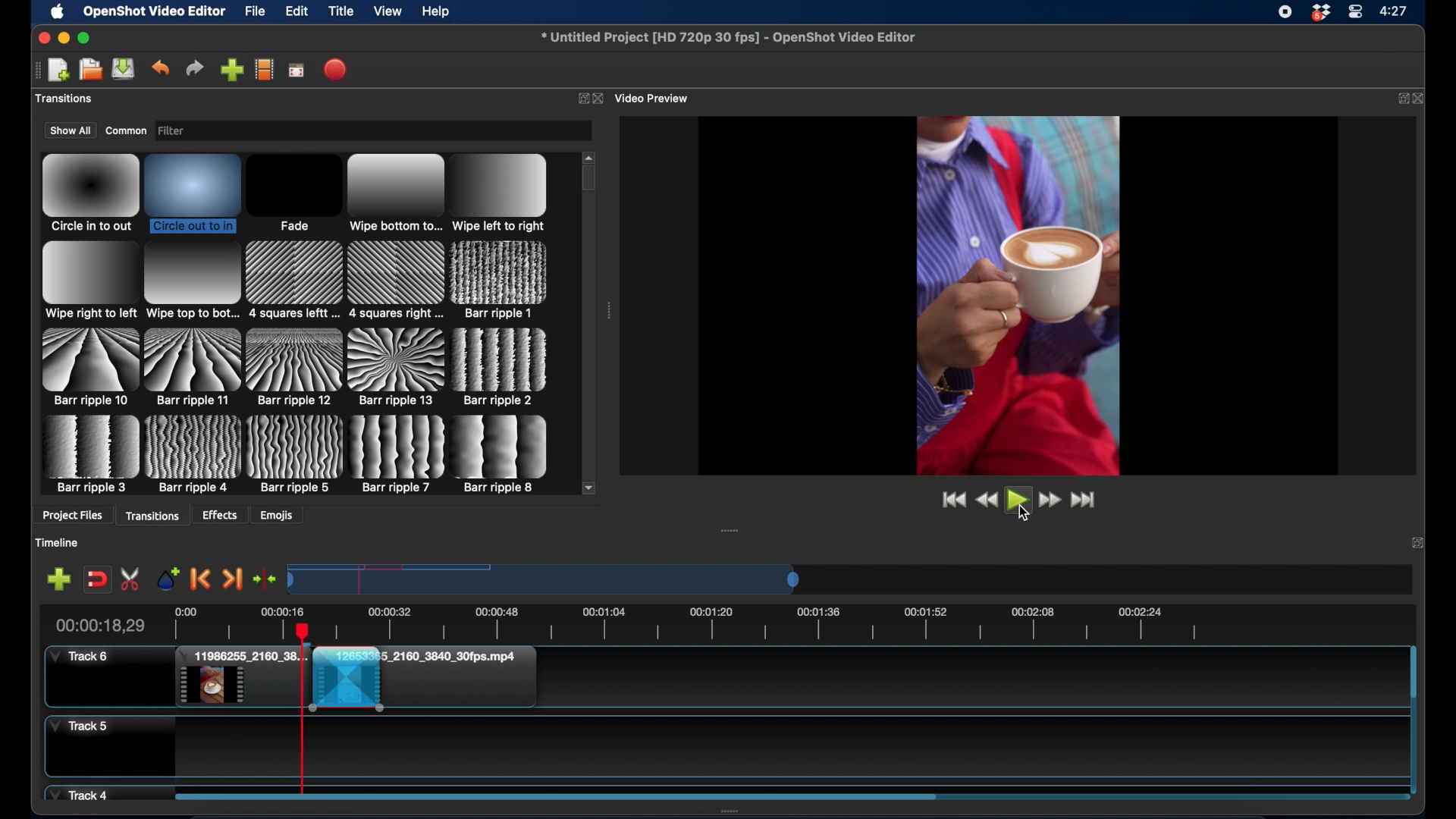 The width and height of the screenshot is (1456, 819). I want to click on track 5, so click(79, 726).